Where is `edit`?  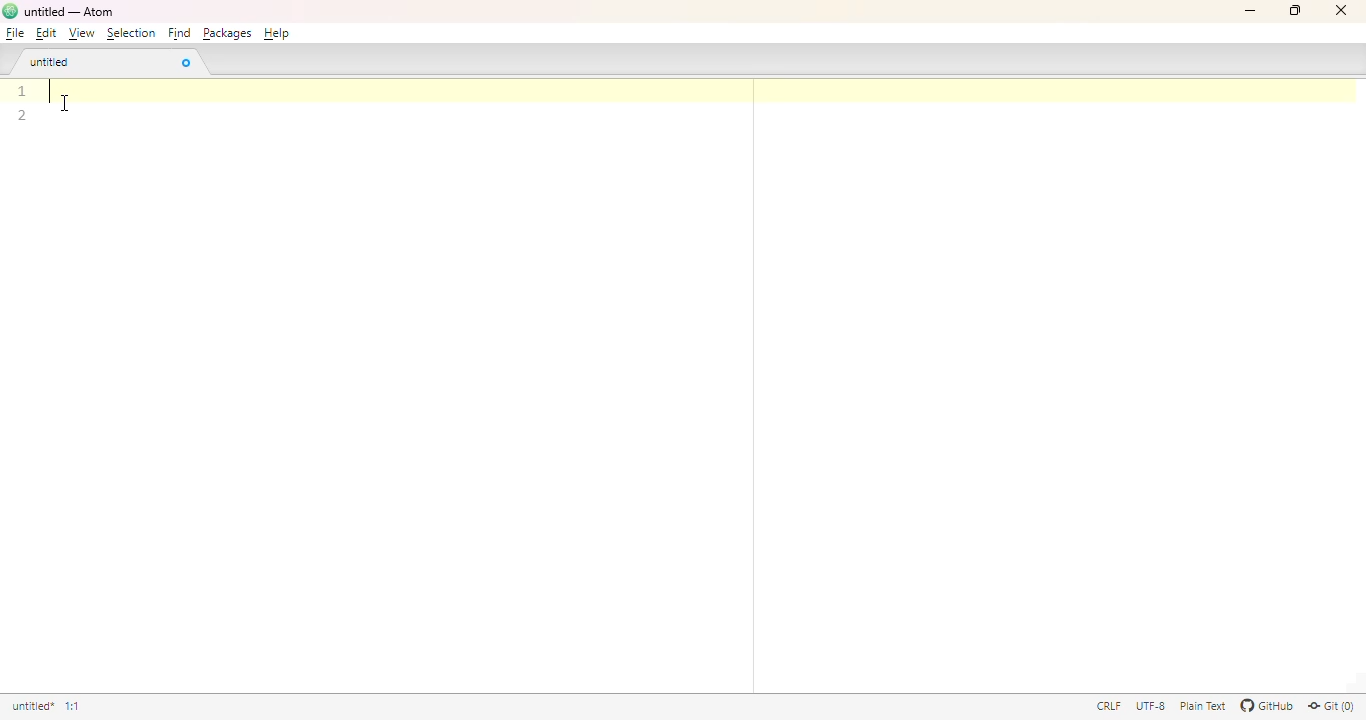
edit is located at coordinates (46, 33).